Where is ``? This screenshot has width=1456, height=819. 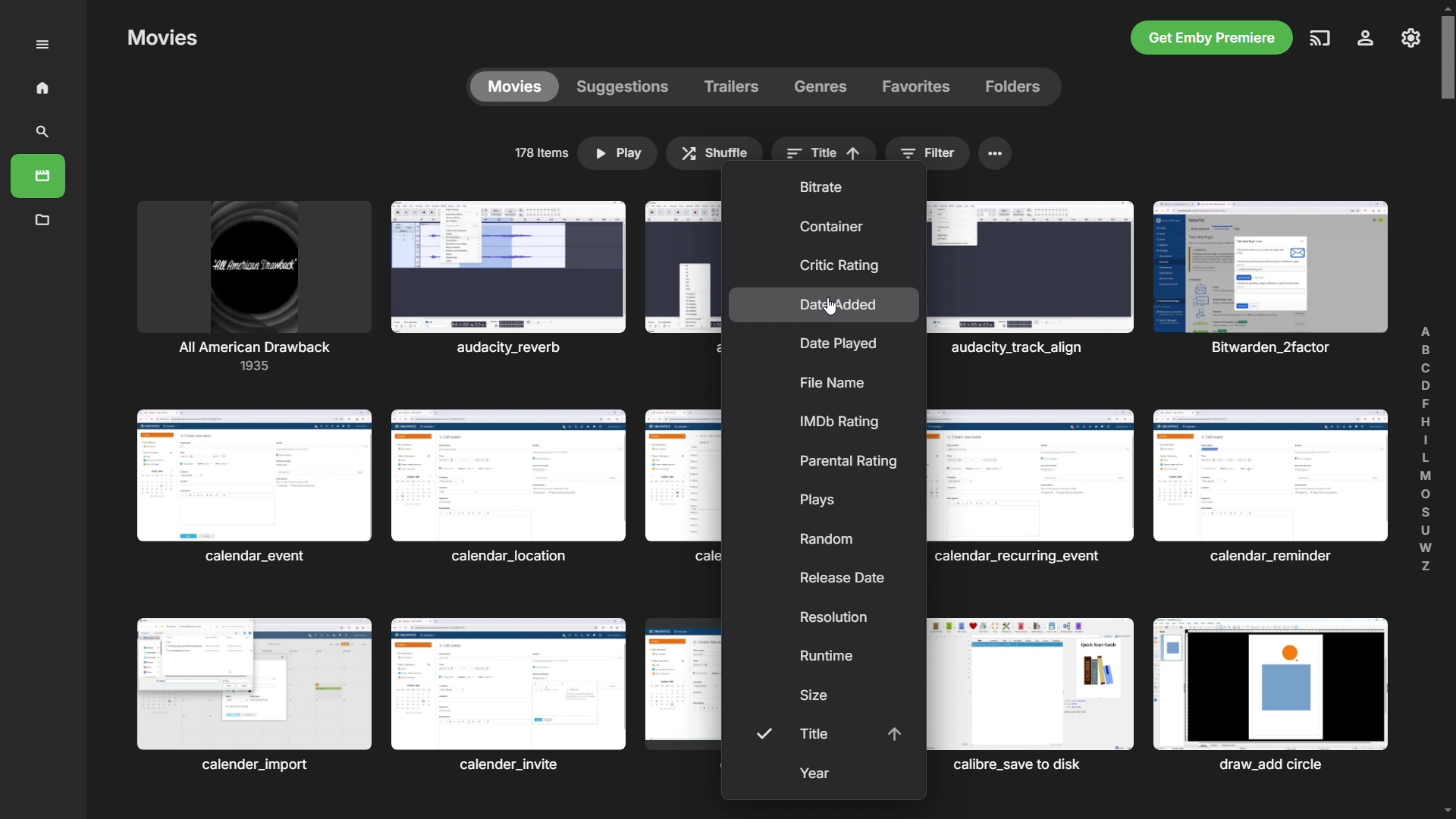  is located at coordinates (255, 486).